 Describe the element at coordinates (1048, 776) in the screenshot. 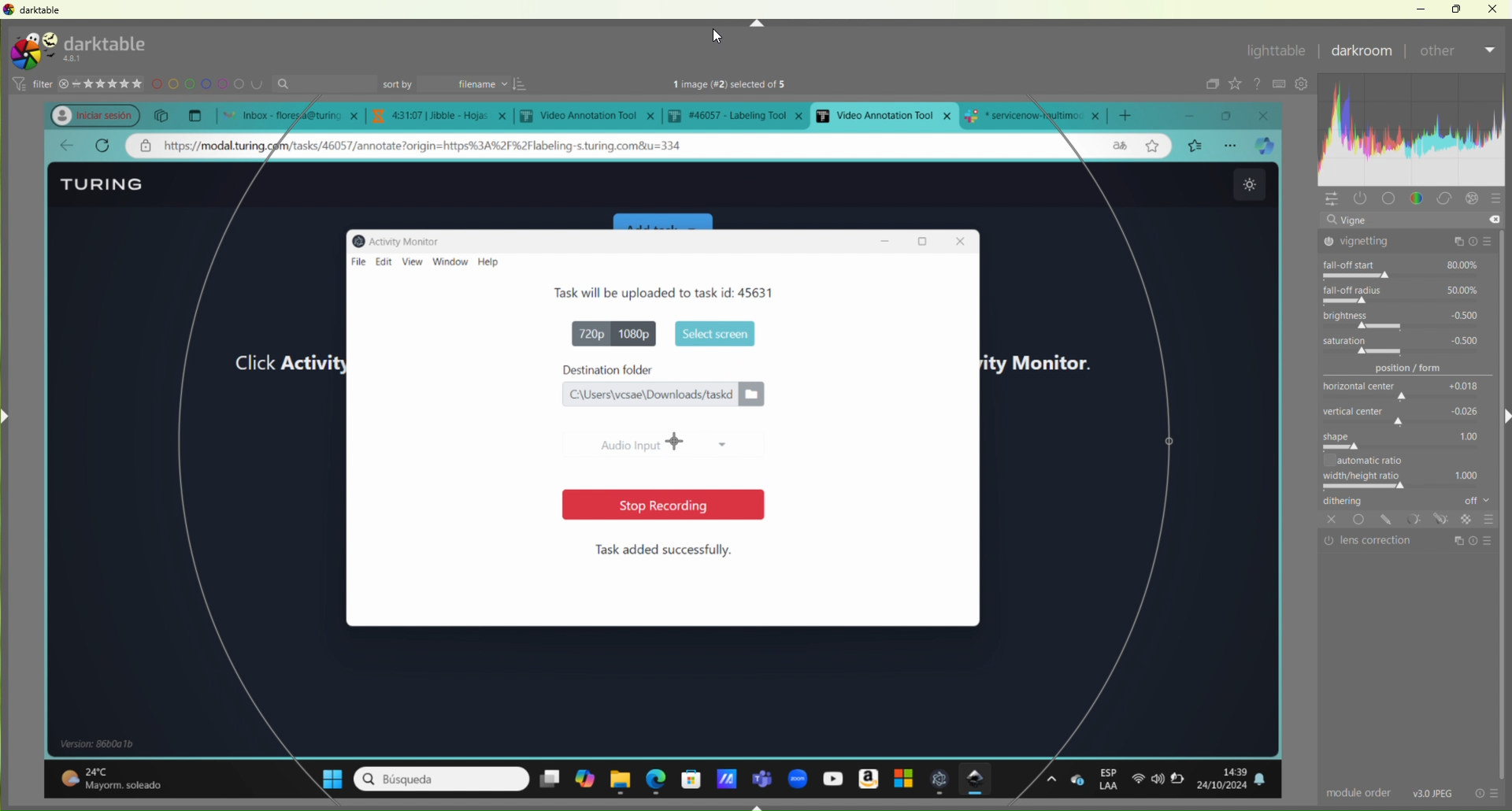

I see `options` at that location.